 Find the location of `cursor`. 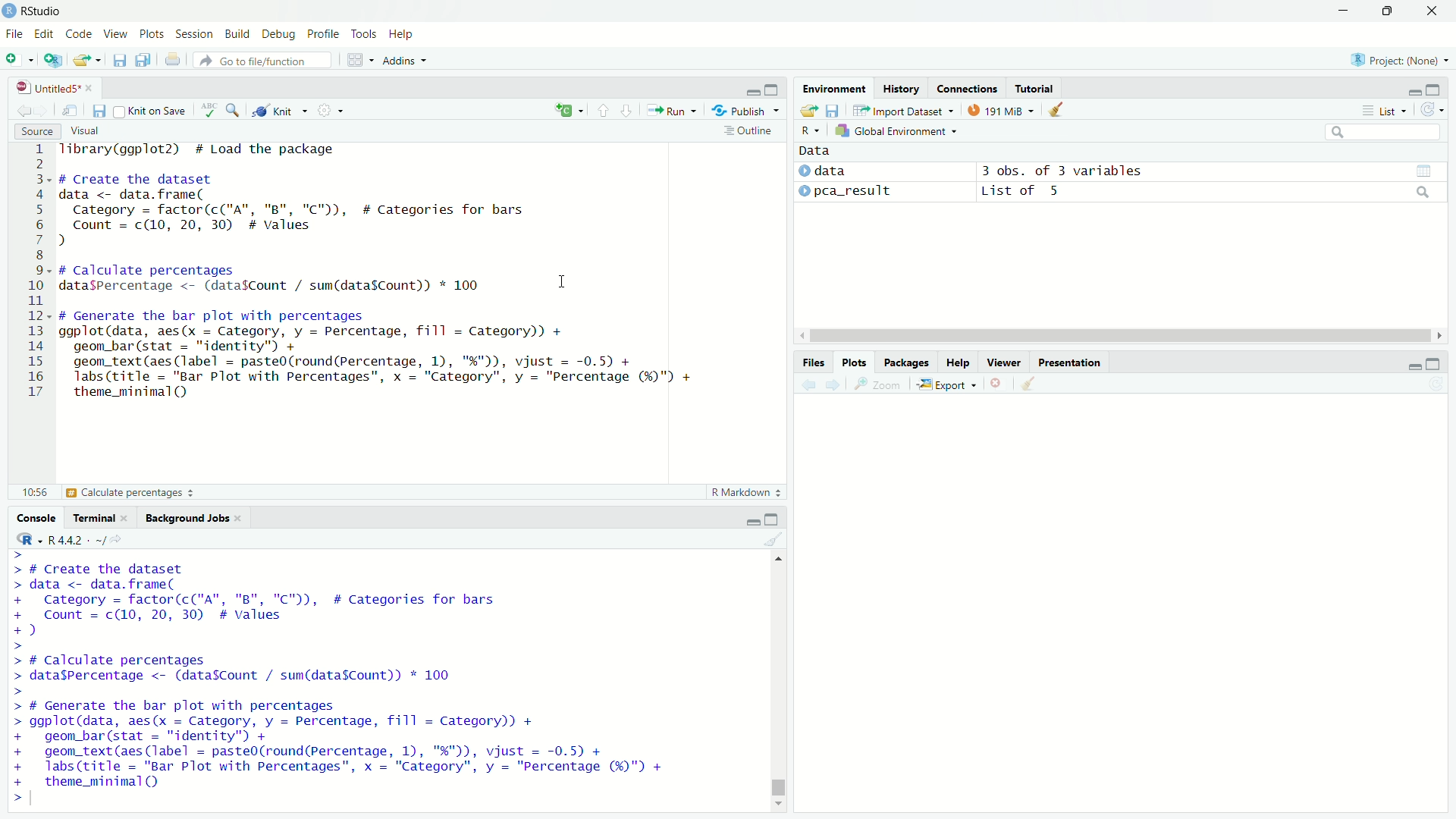

cursor is located at coordinates (561, 283).